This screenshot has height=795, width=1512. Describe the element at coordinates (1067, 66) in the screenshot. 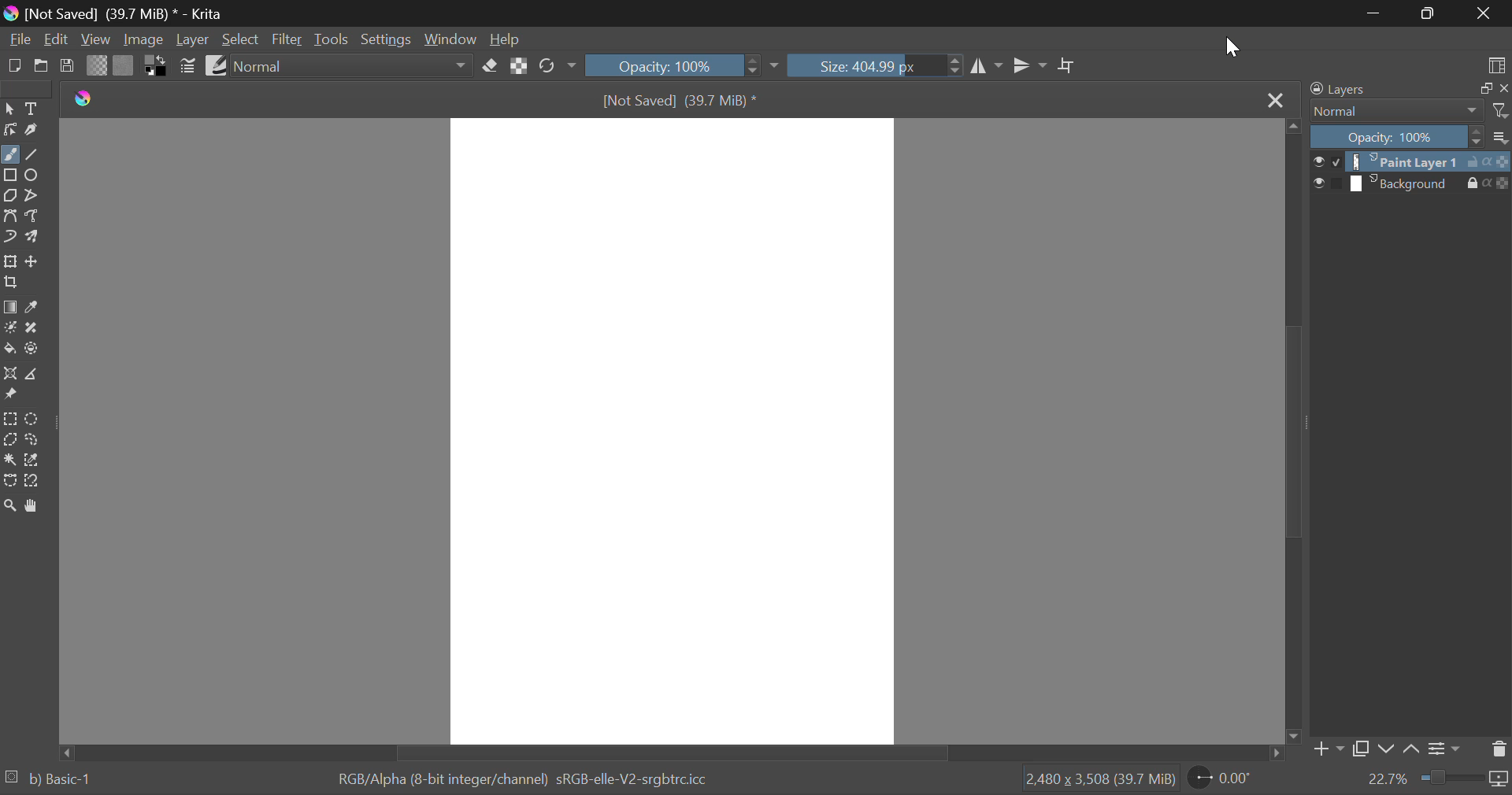

I see `Crop` at that location.